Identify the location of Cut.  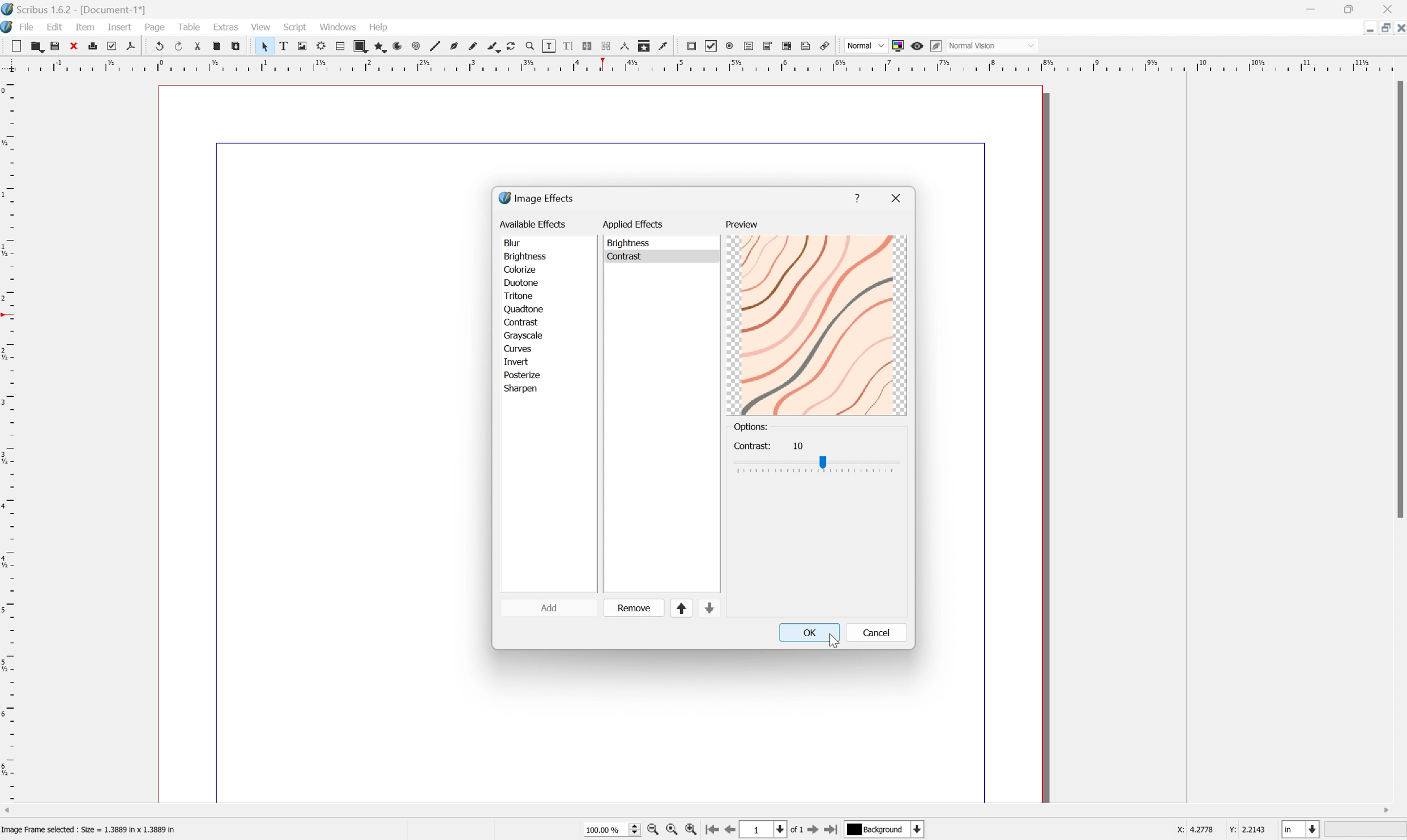
(197, 45).